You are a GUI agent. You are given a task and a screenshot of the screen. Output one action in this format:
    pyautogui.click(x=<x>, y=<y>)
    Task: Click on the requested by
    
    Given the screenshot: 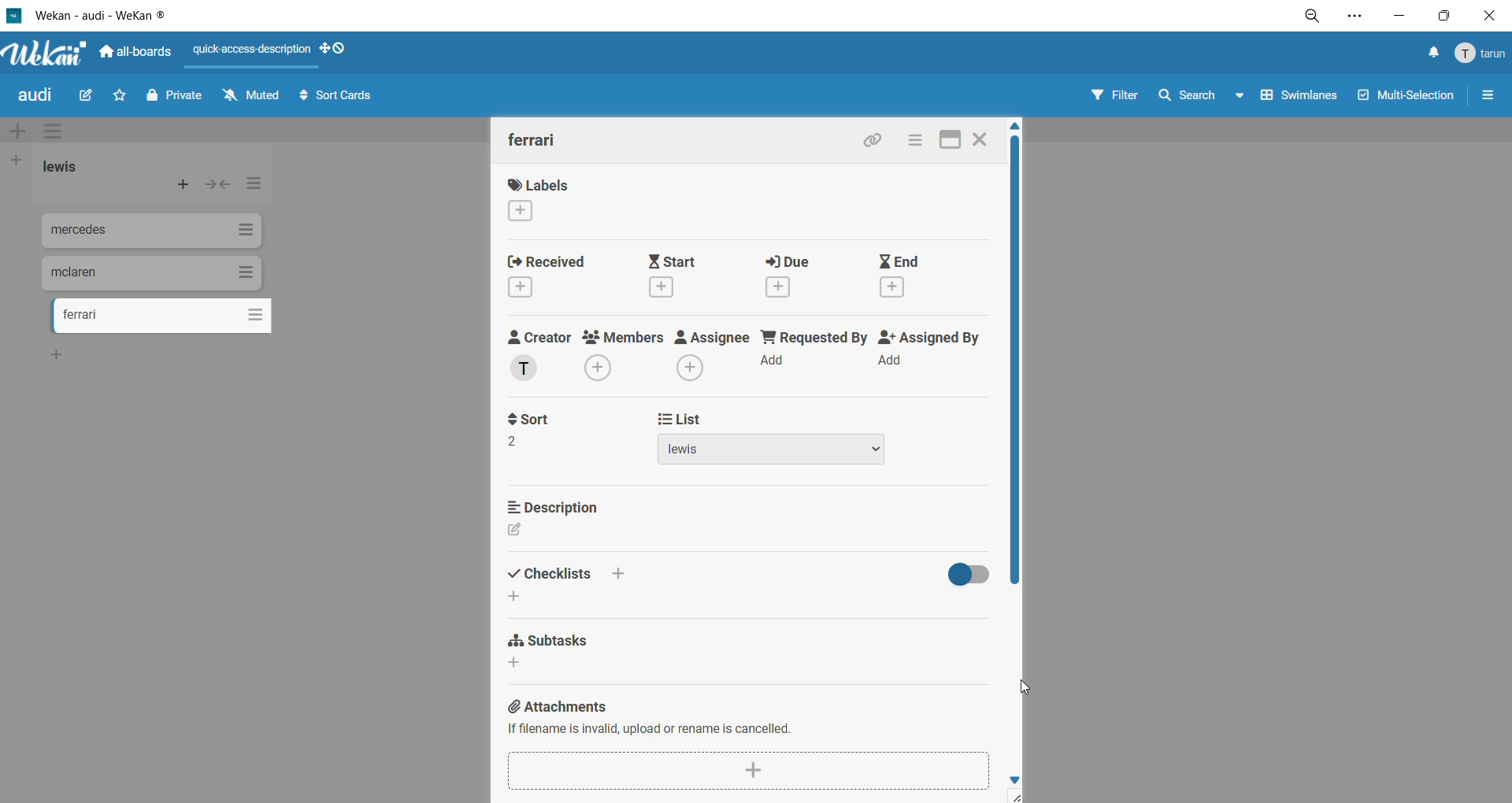 What is the action you would take?
    pyautogui.click(x=812, y=346)
    